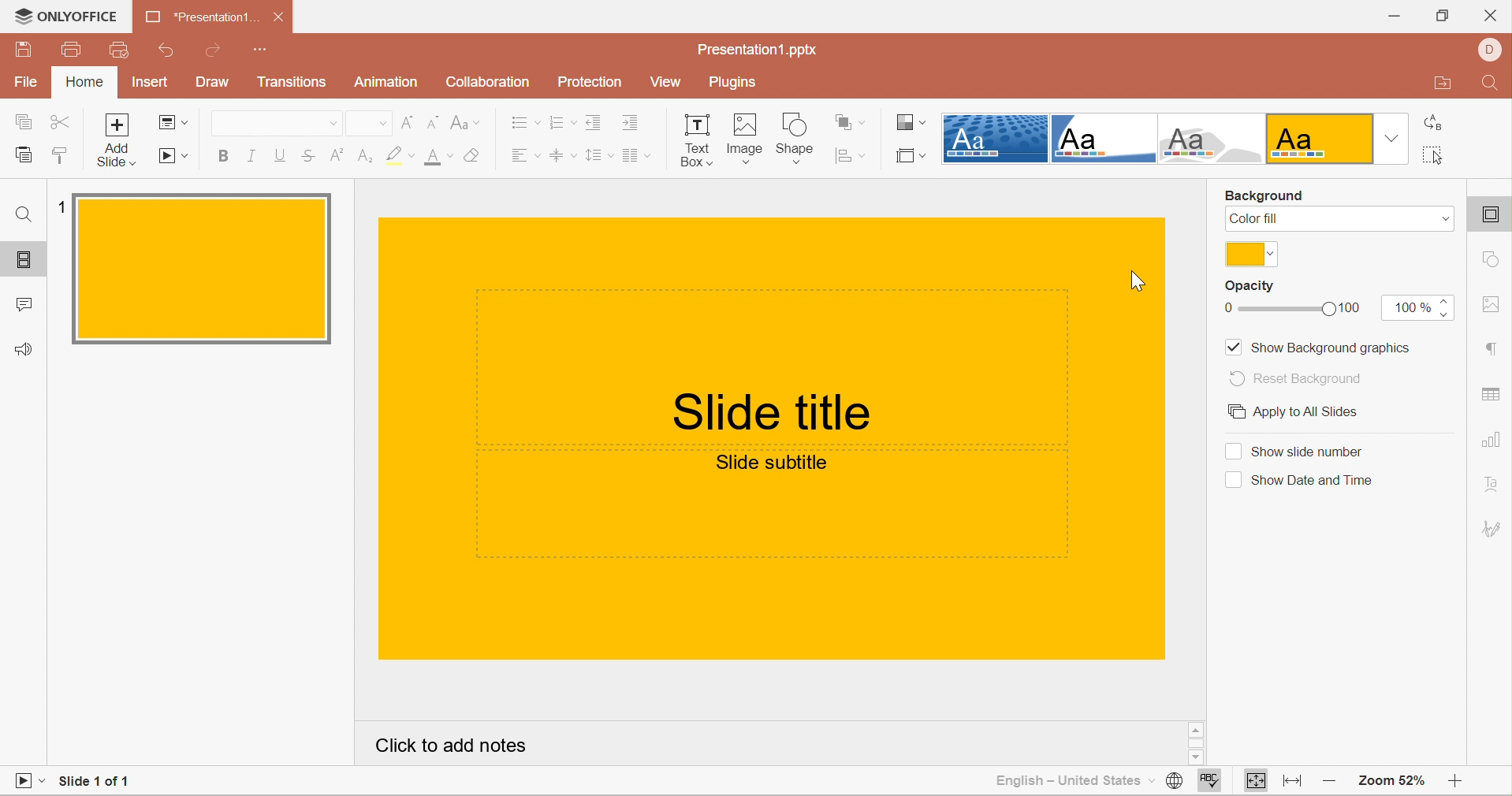  I want to click on Save, so click(24, 48).